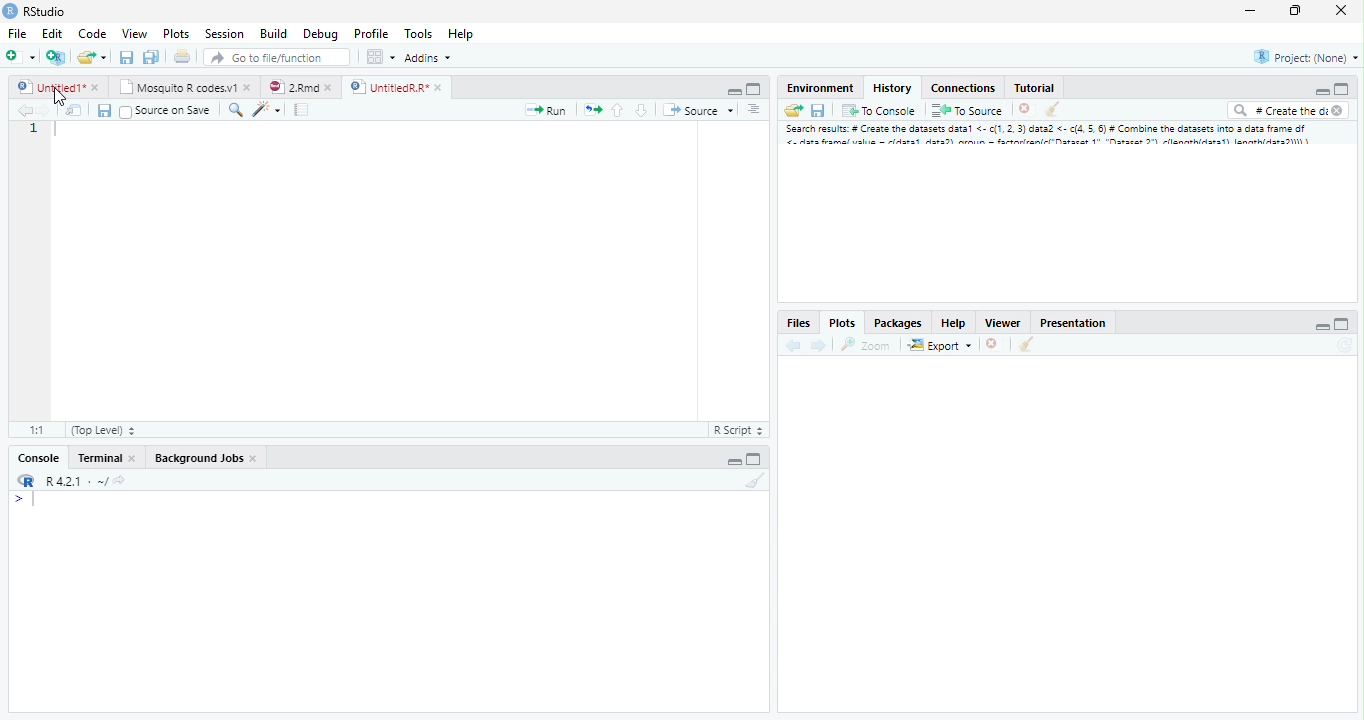 The width and height of the screenshot is (1364, 720). Describe the element at coordinates (42, 457) in the screenshot. I see `Console` at that location.